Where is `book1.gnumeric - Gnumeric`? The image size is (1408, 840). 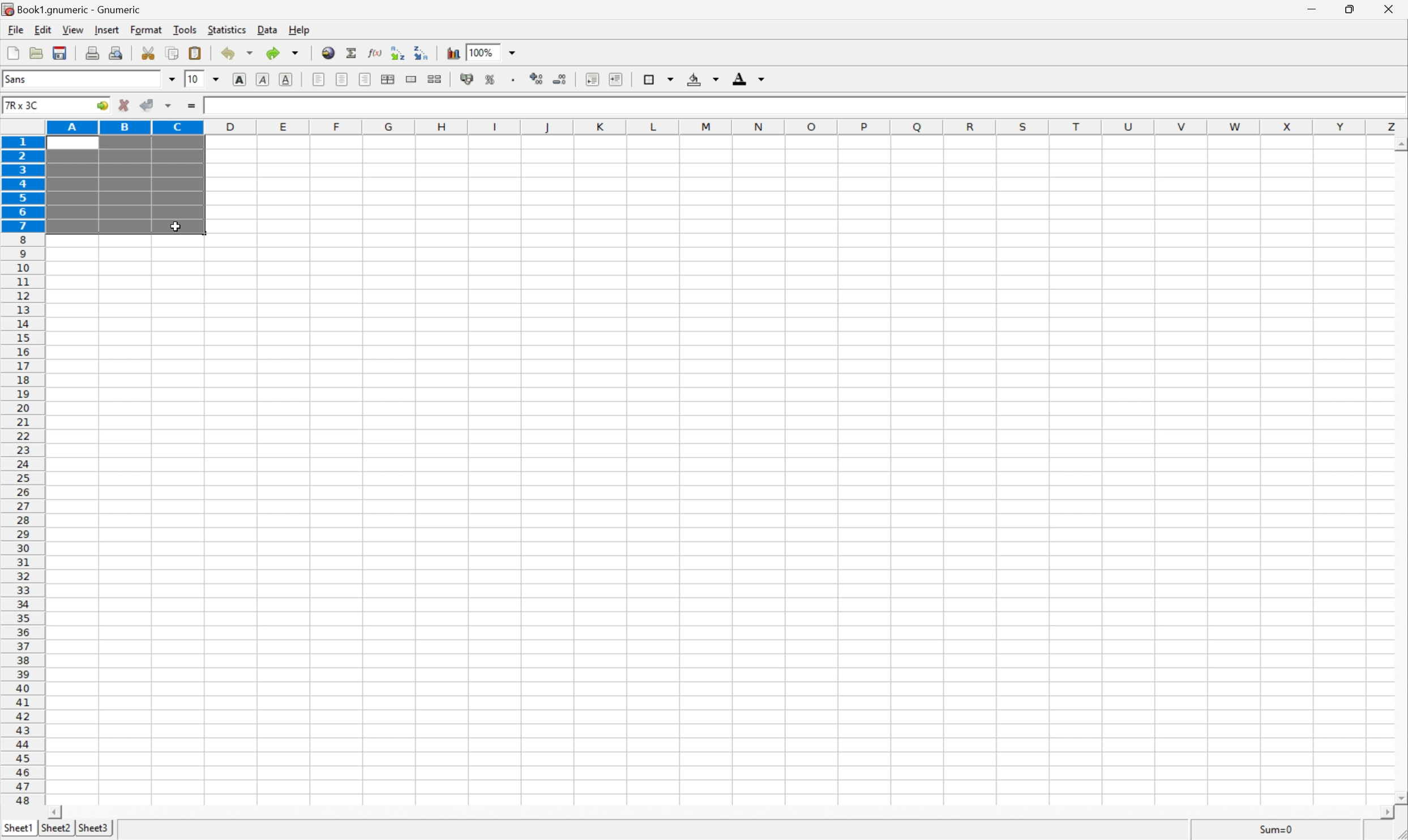 book1.gnumeric - Gnumeric is located at coordinates (72, 9).